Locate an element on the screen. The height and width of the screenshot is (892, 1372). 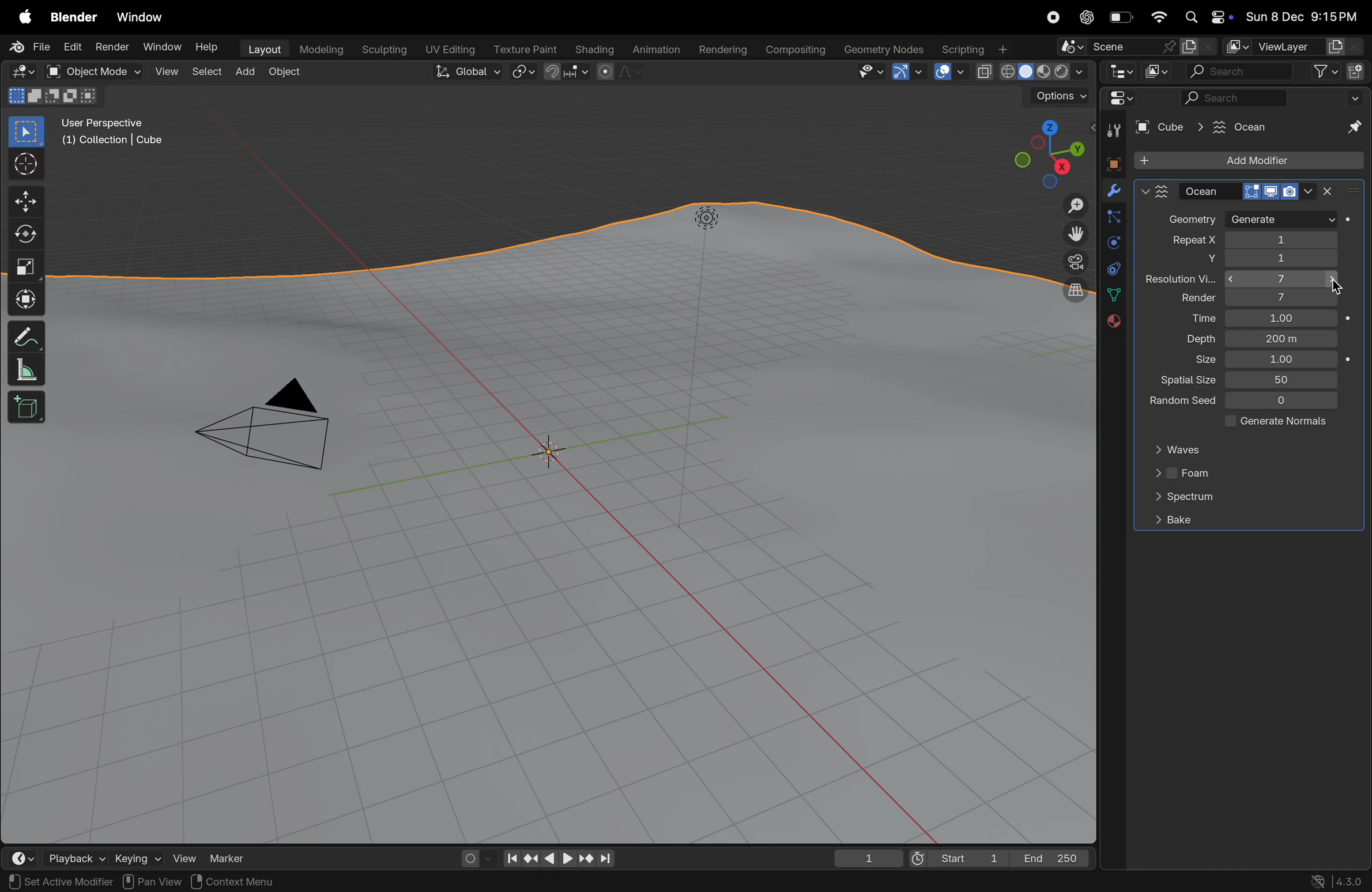
display mode is located at coordinates (1156, 71).